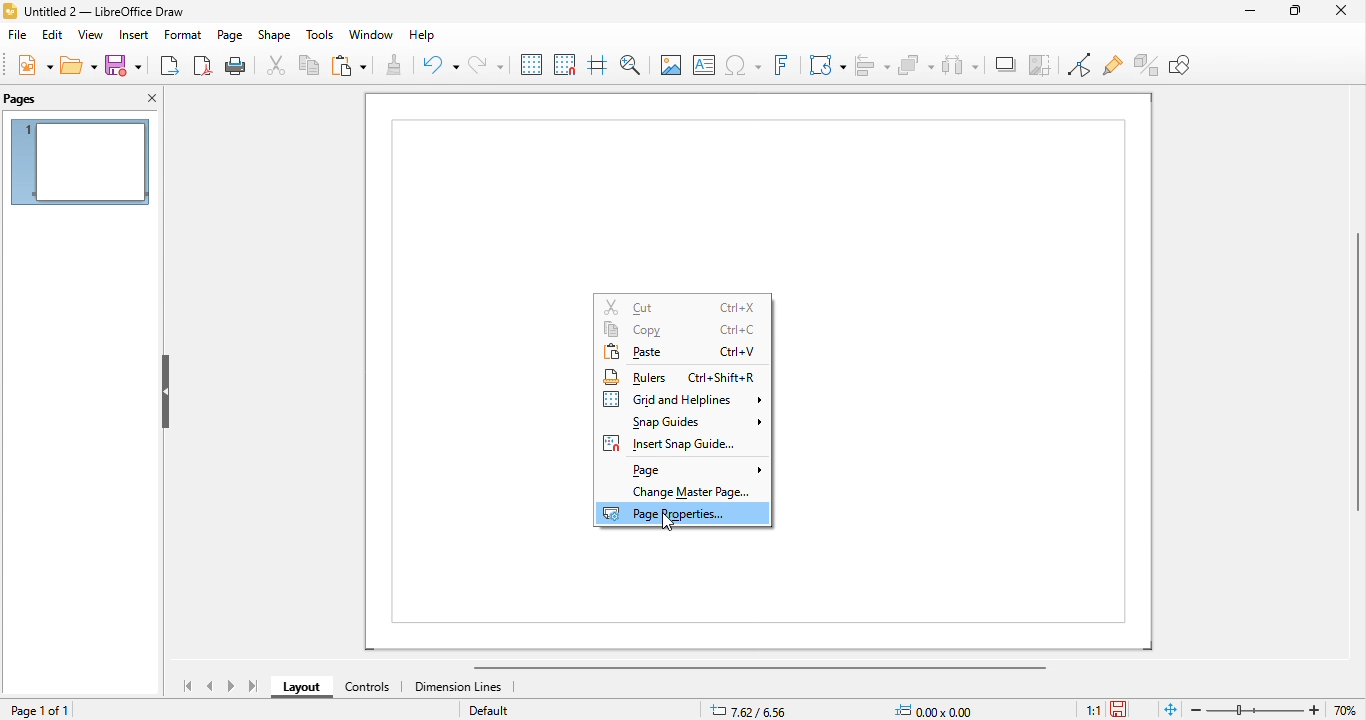  I want to click on export as , so click(170, 66).